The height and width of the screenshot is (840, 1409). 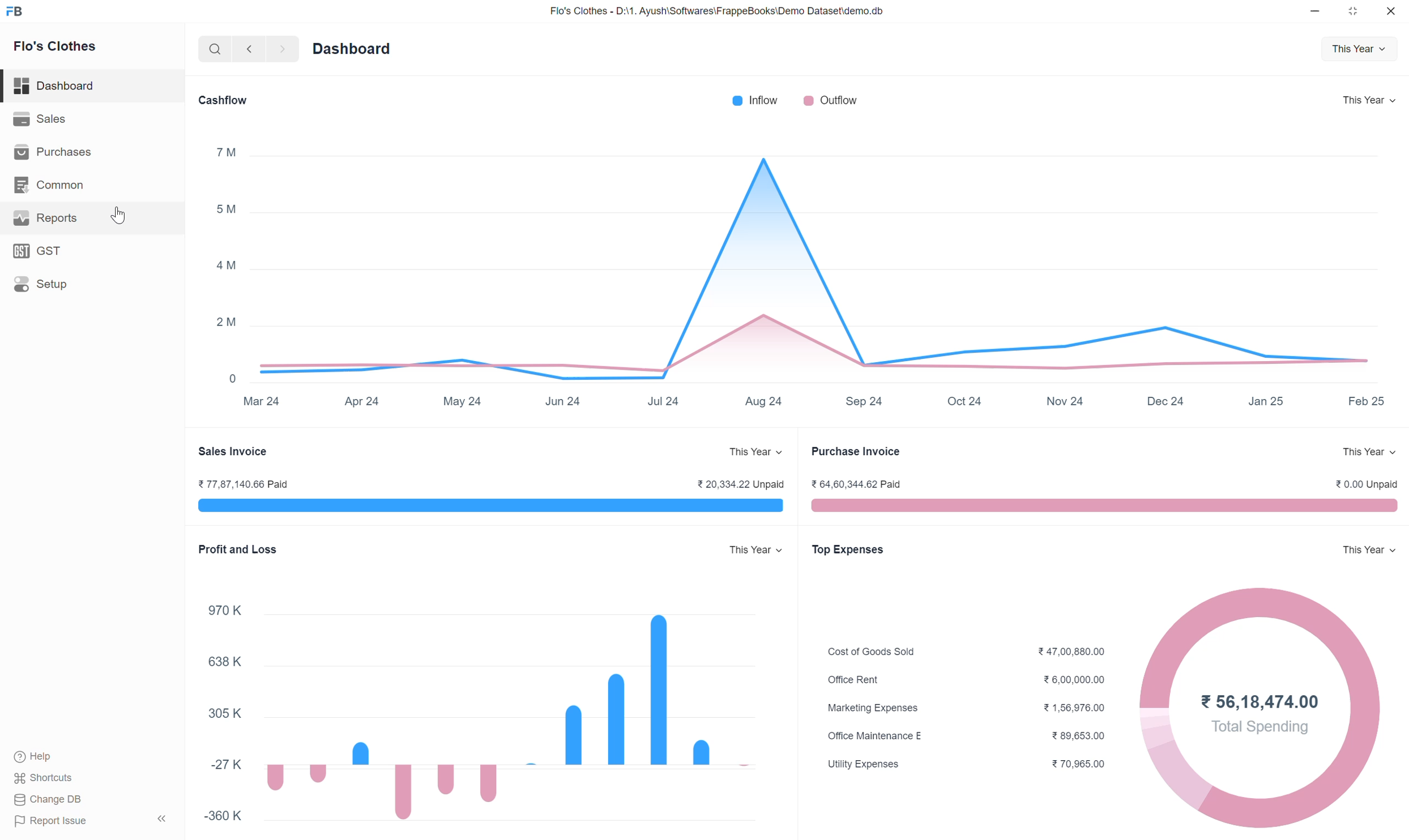 I want to click on change DB, so click(x=50, y=799).